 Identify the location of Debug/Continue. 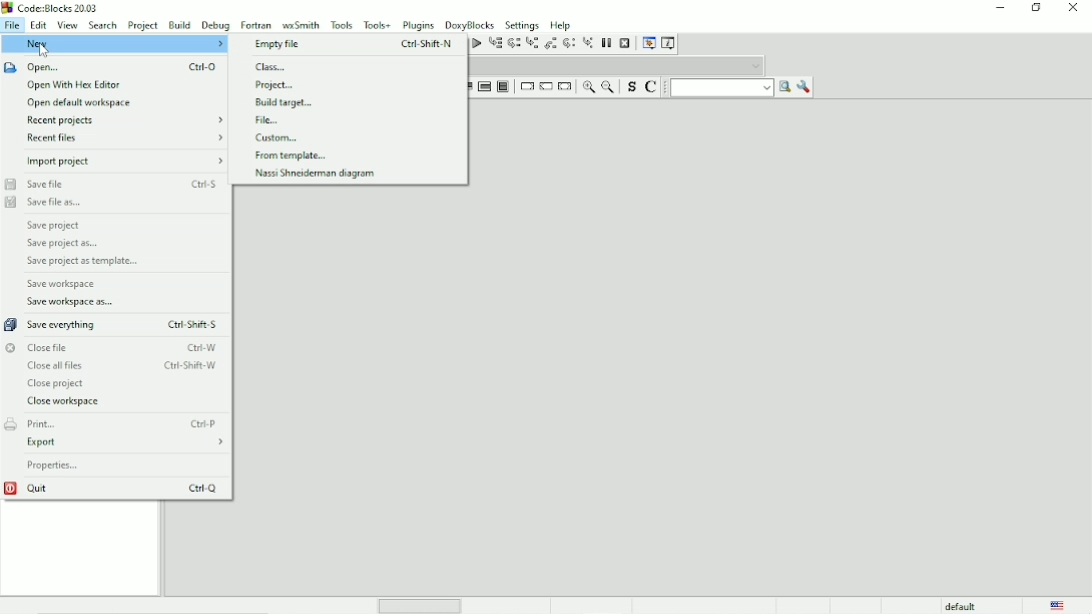
(475, 43).